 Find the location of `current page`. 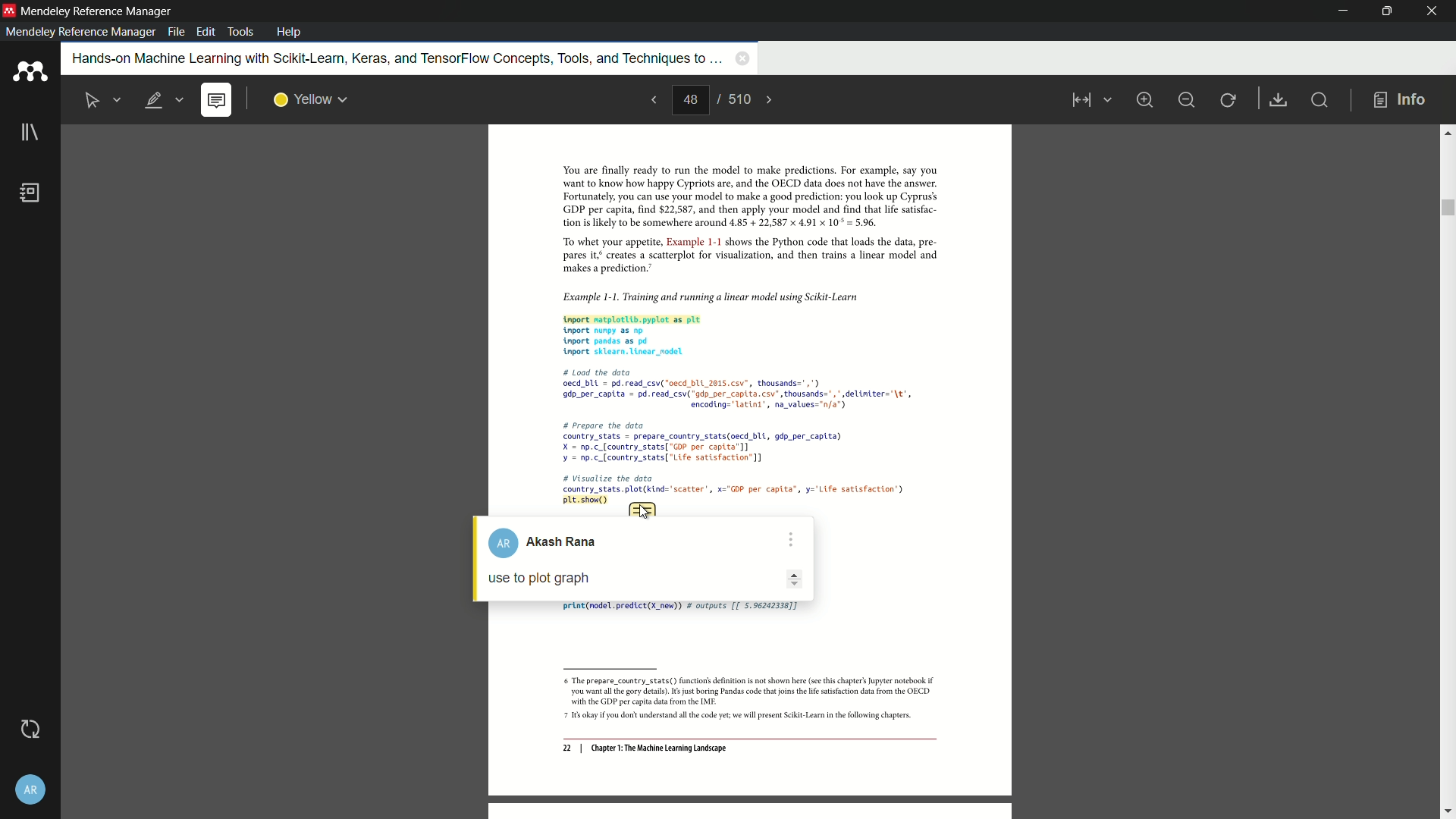

current page is located at coordinates (690, 100).